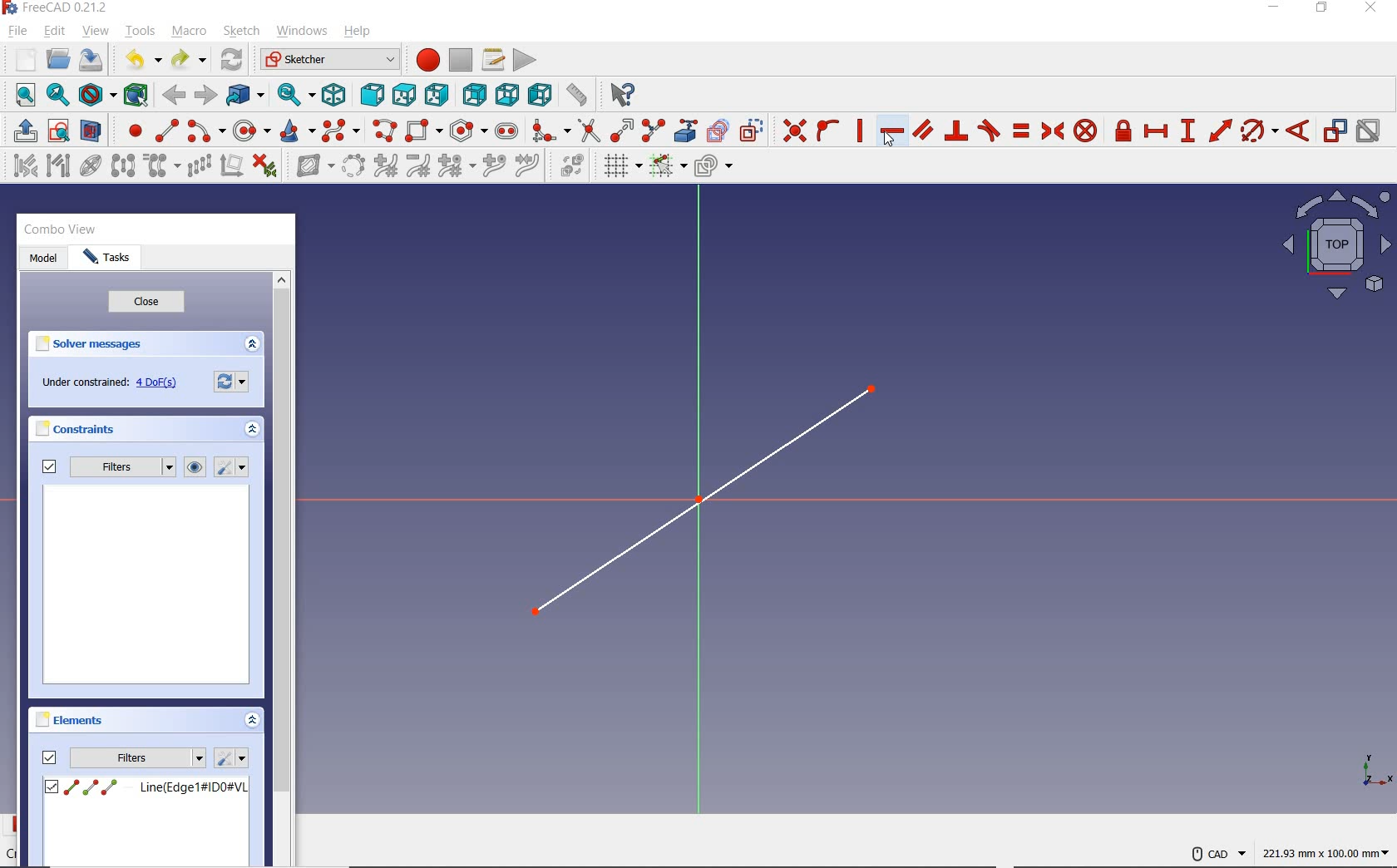  Describe the element at coordinates (297, 96) in the screenshot. I see `SYNC VIEW` at that location.